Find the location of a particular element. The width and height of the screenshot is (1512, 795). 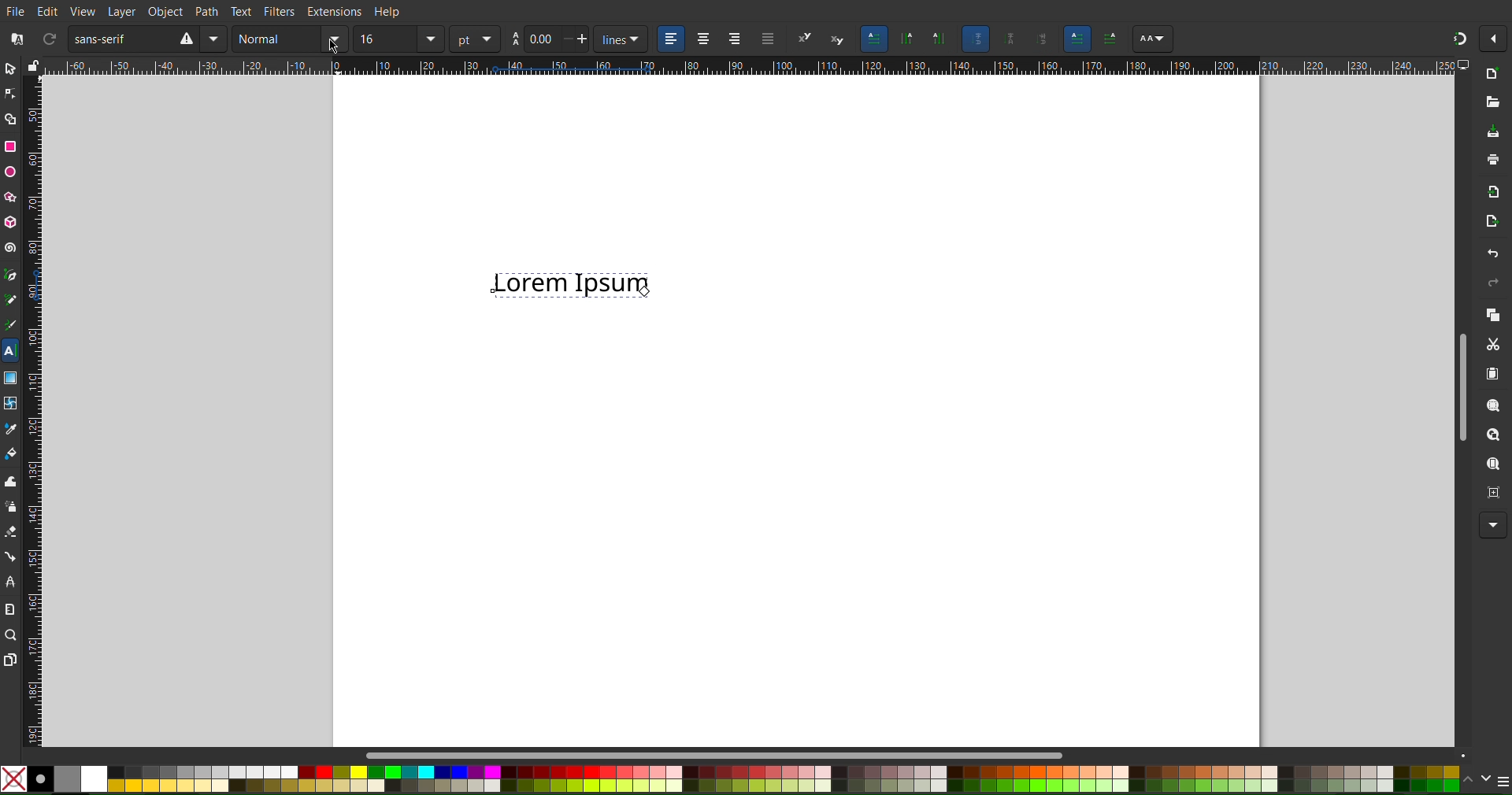

Redo is located at coordinates (1492, 286).